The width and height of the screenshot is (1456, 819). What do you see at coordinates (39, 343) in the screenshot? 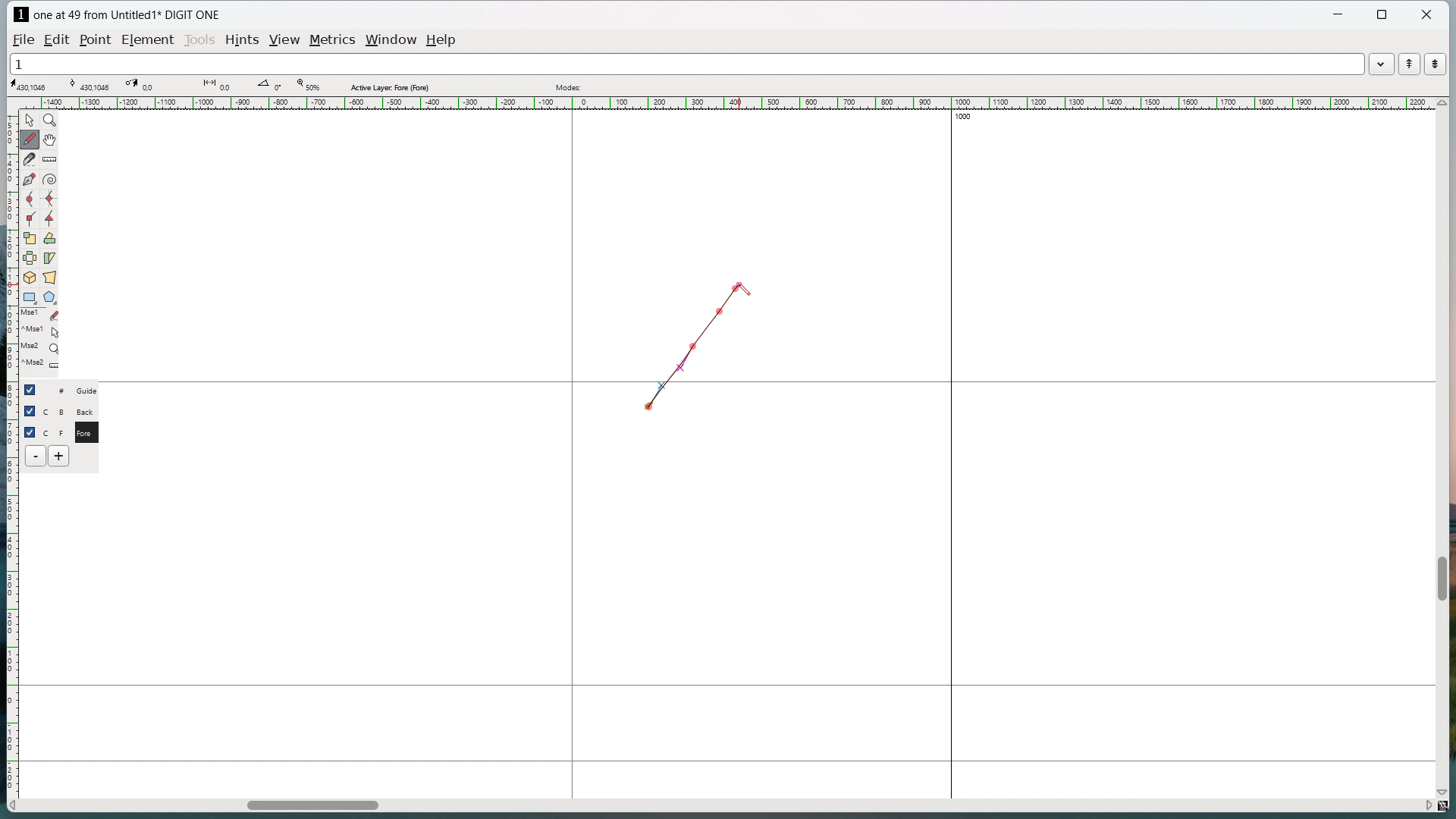
I see `last used tools` at bounding box center [39, 343].